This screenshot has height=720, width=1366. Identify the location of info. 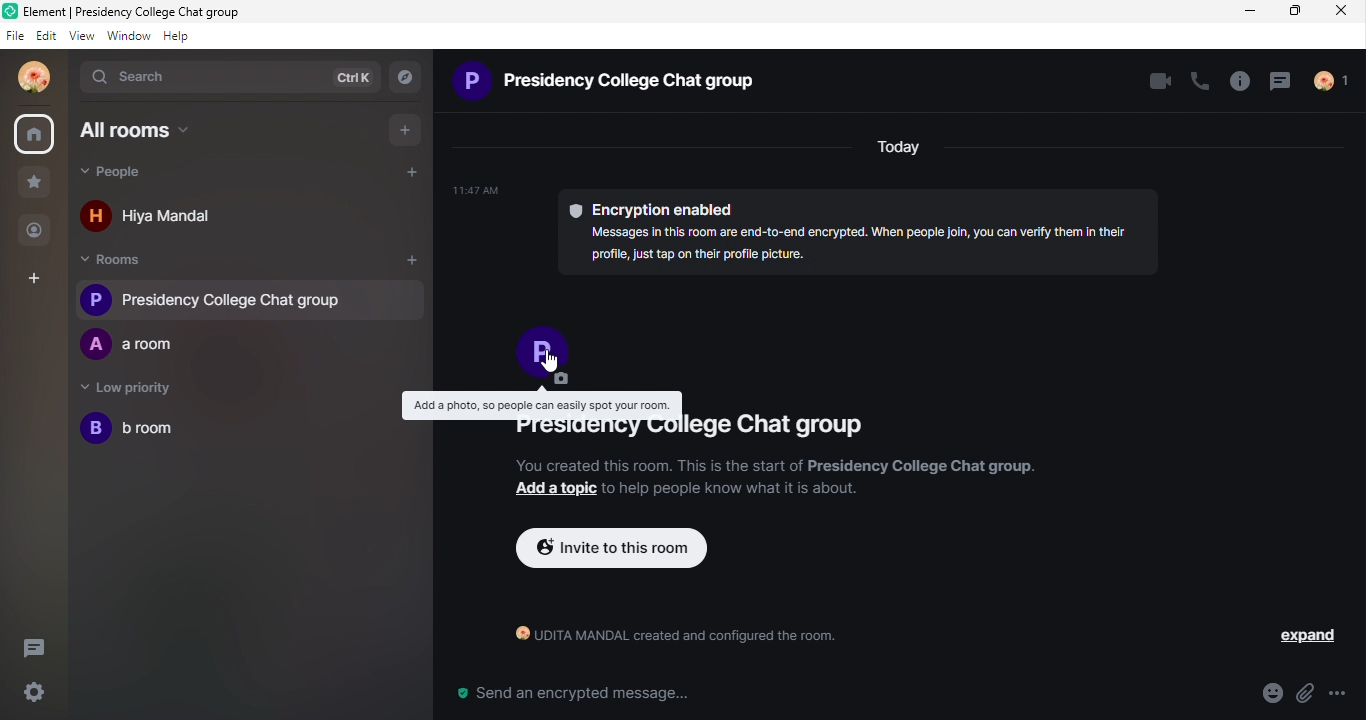
(1242, 82).